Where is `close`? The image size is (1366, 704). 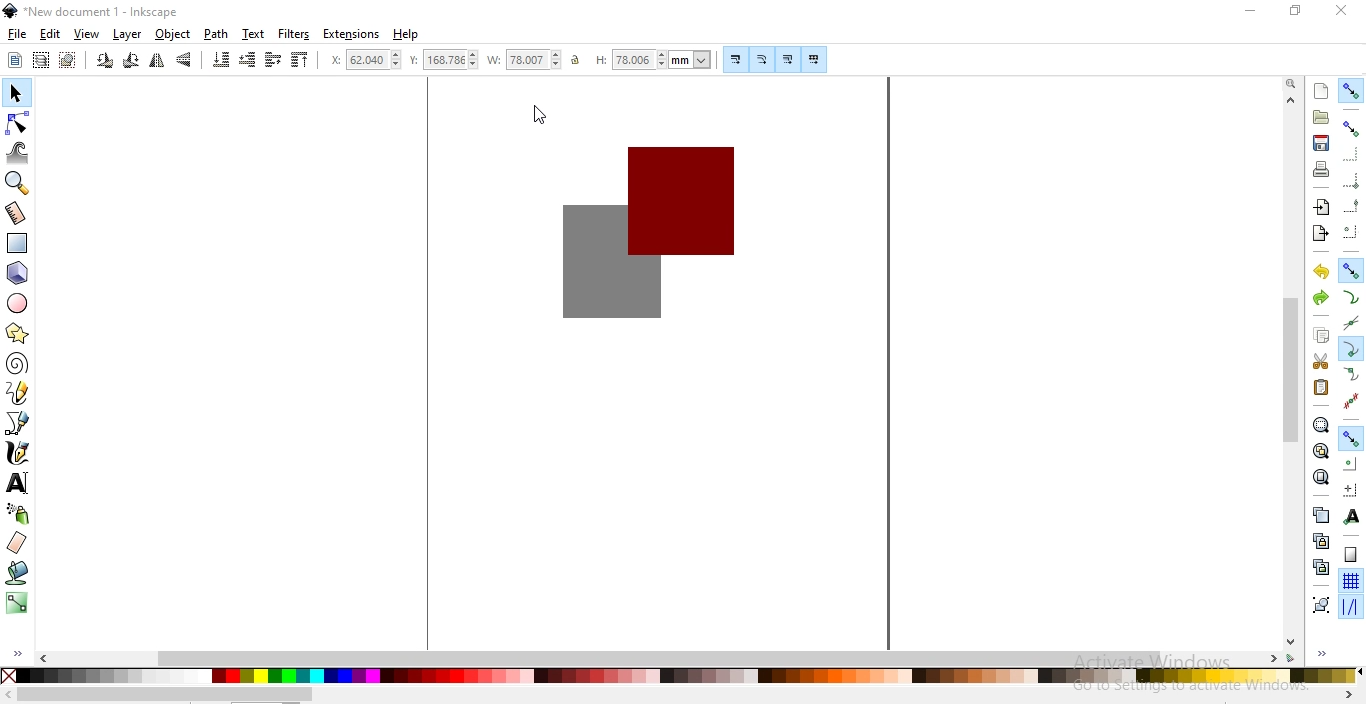 close is located at coordinates (1342, 10).